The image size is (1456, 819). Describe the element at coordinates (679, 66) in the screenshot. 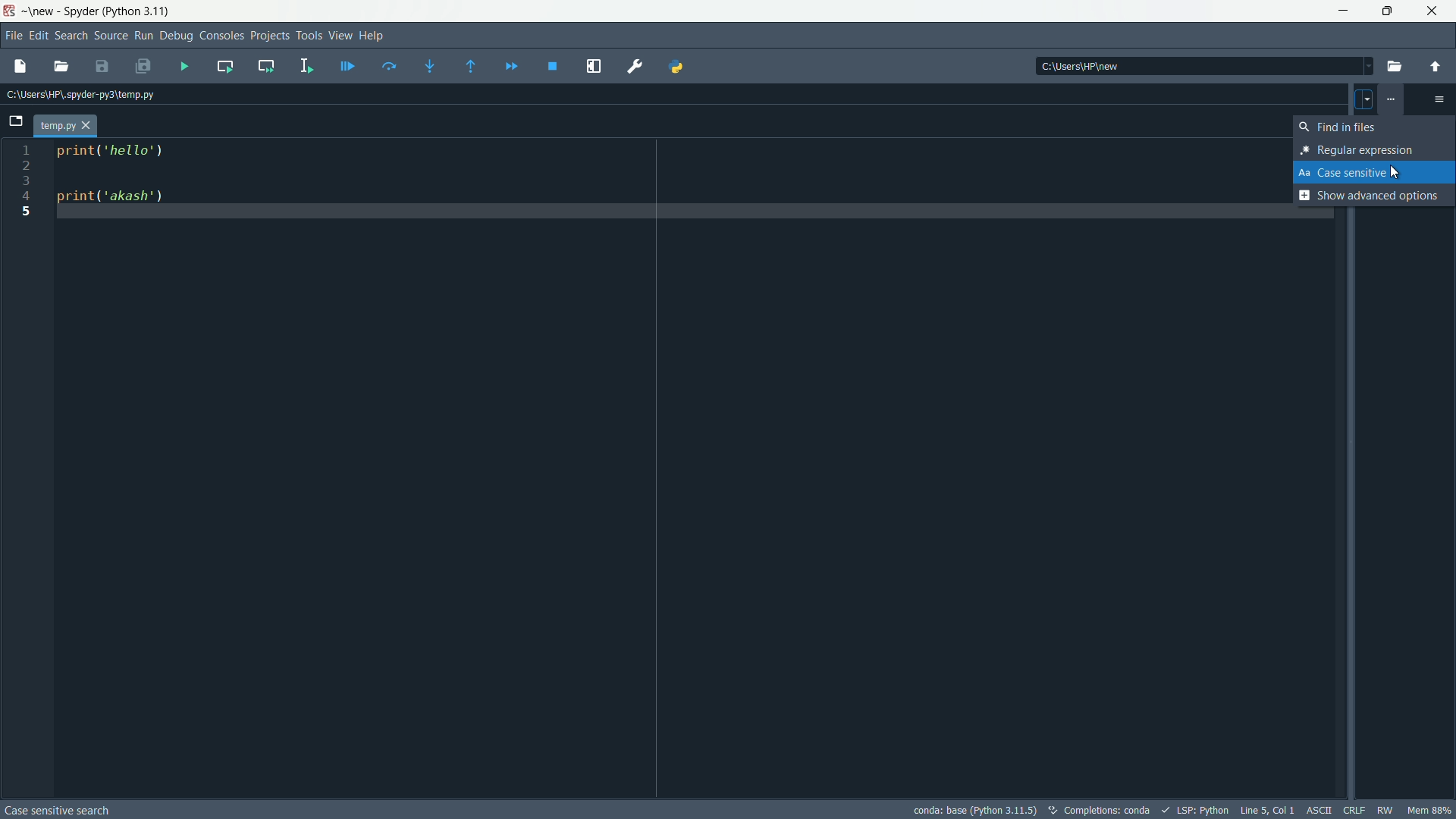

I see `python path manager` at that location.